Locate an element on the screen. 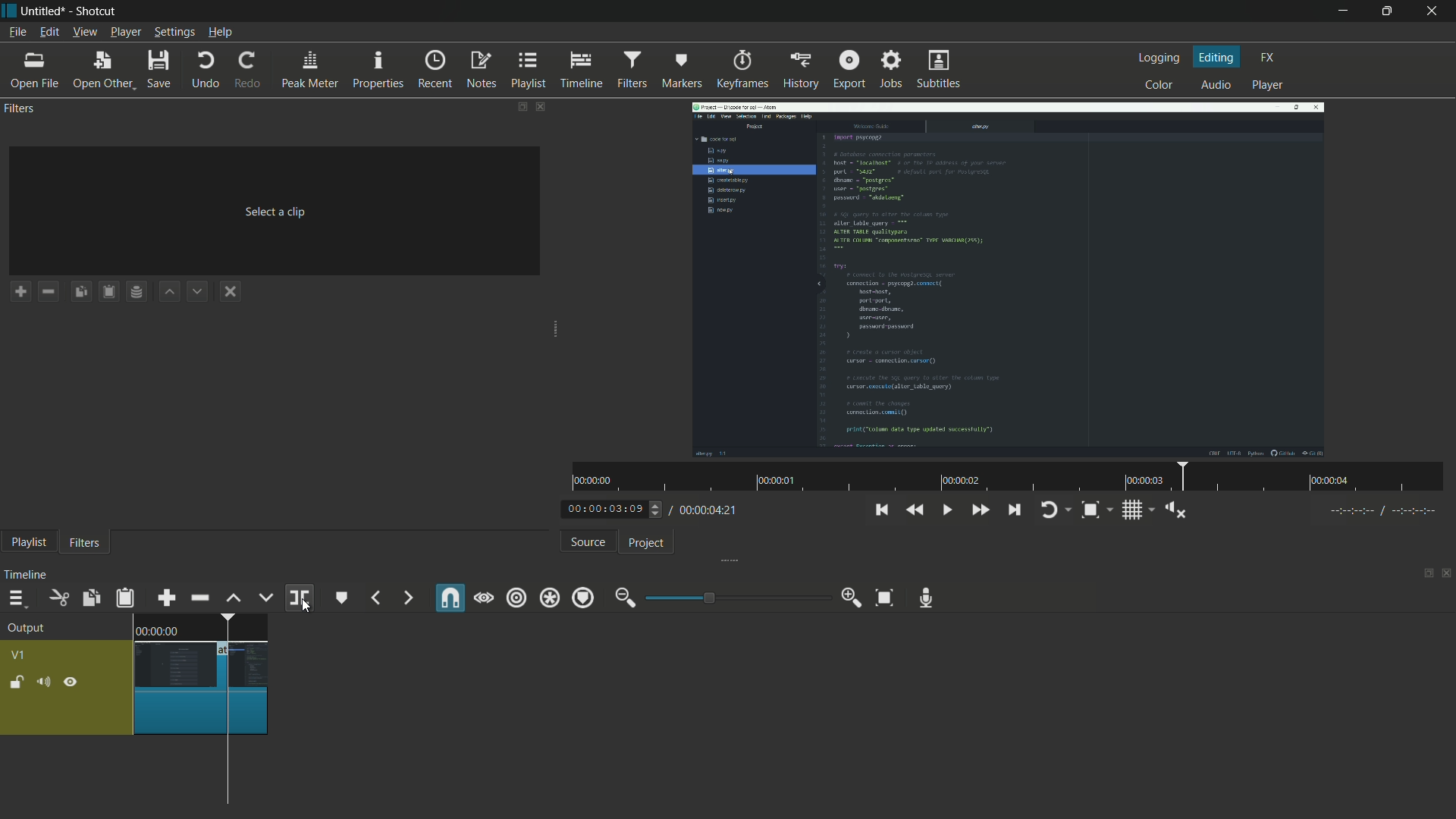 This screenshot has height=819, width=1456. cursor is located at coordinates (307, 607).